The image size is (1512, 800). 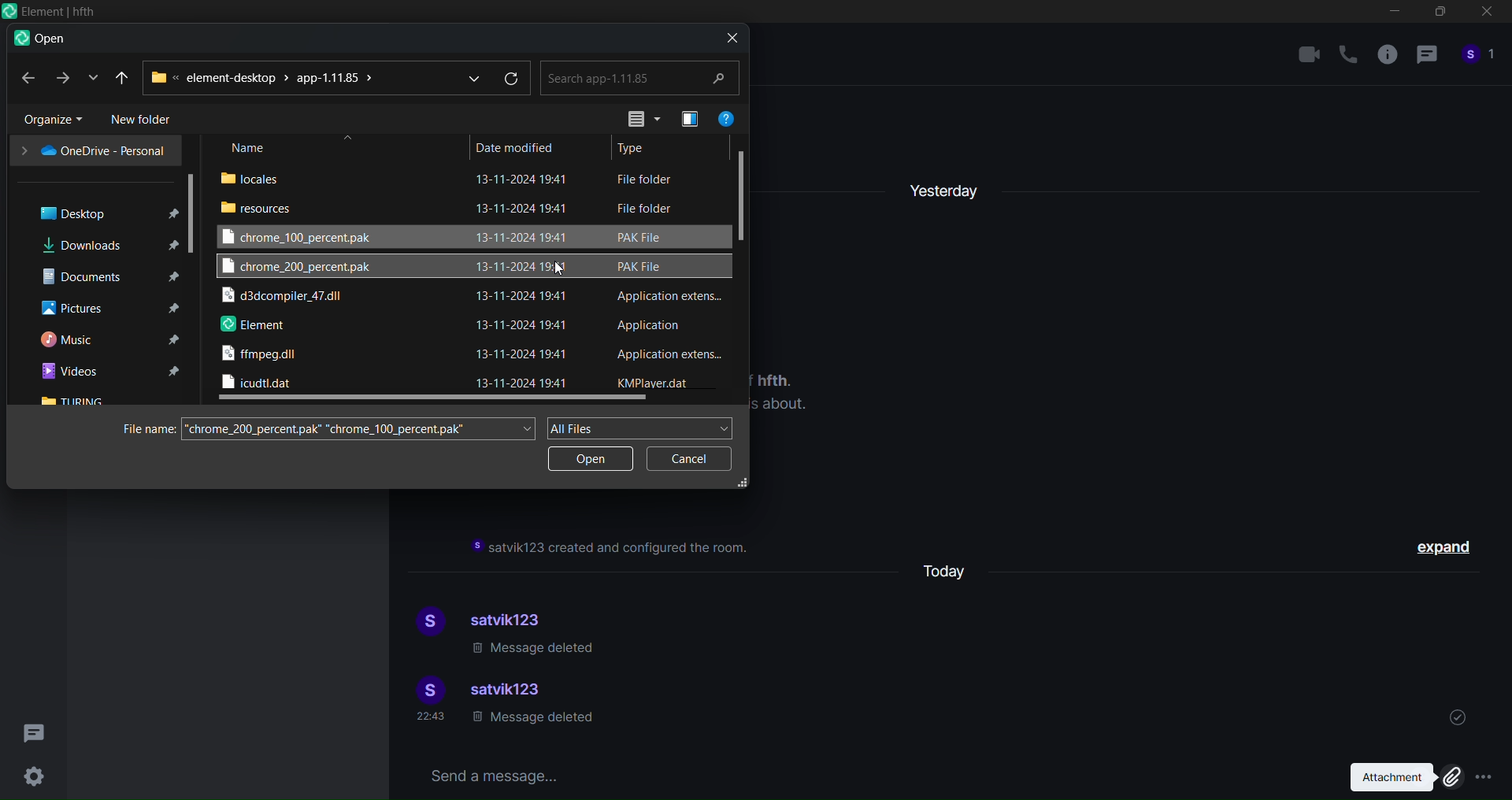 I want to click on dropdown, so click(x=469, y=76).